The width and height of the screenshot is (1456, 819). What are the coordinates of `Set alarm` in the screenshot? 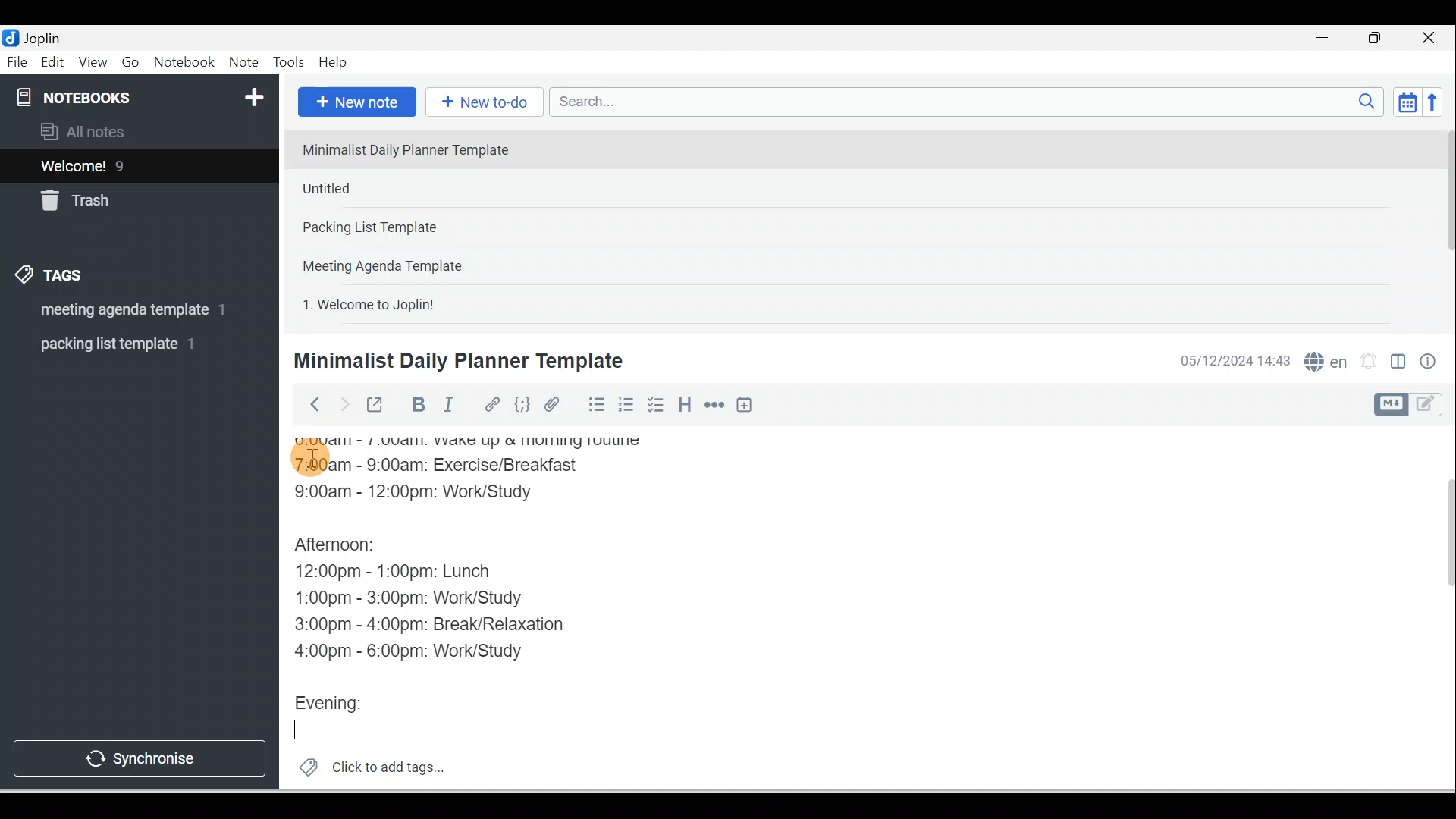 It's located at (1367, 362).